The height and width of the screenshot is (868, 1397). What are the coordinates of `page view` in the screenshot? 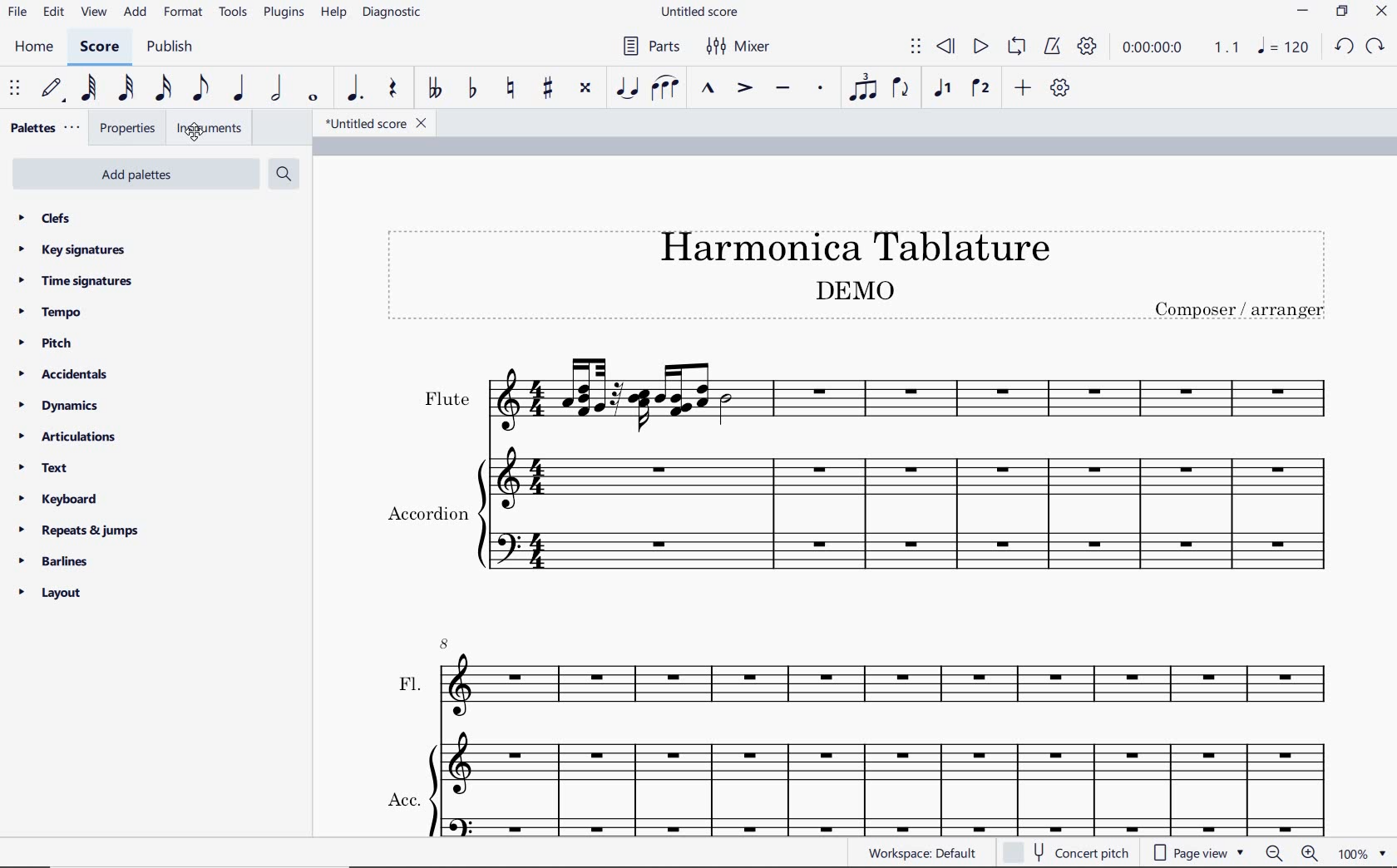 It's located at (1200, 855).